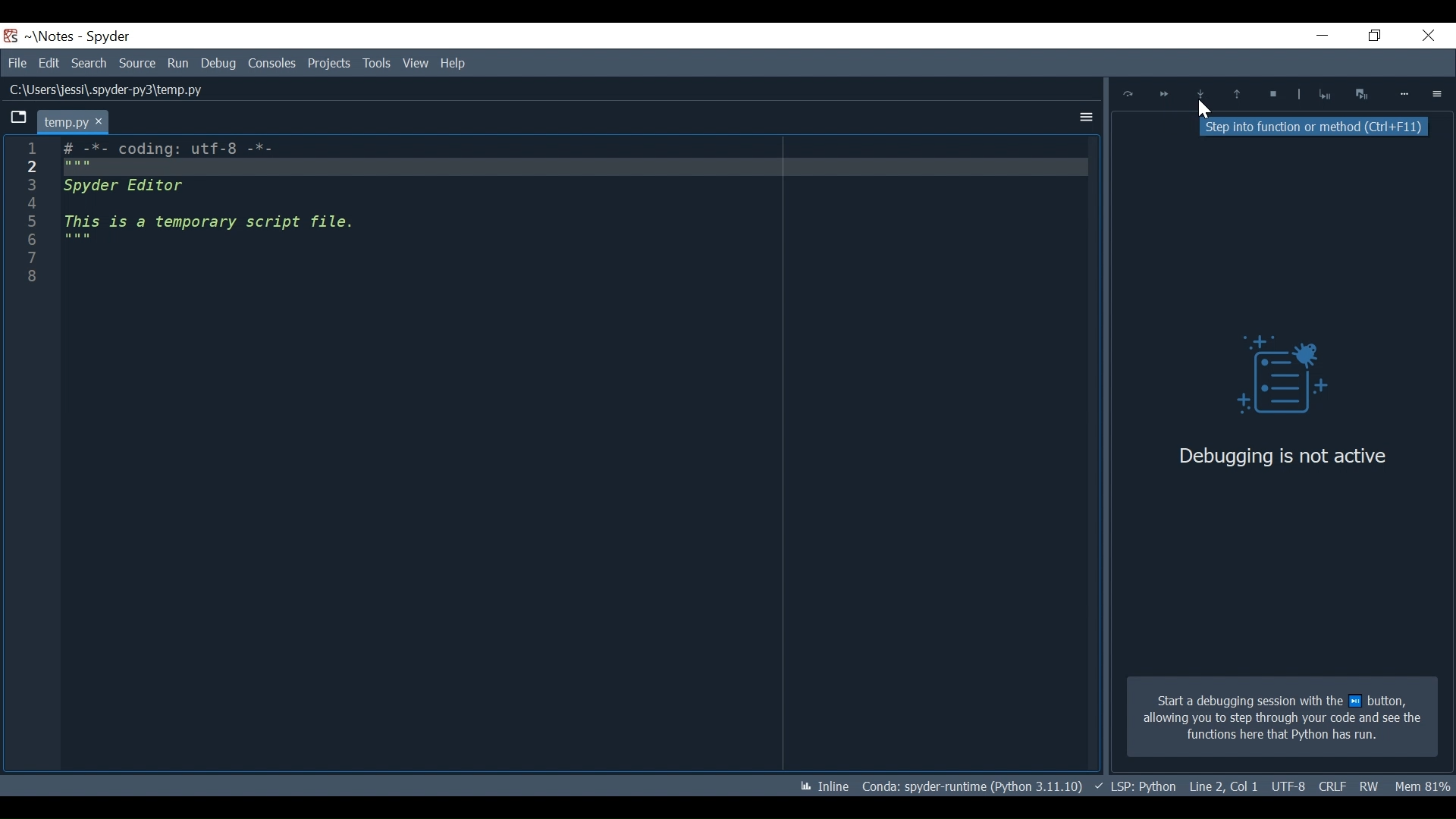  I want to click on Search, so click(91, 63).